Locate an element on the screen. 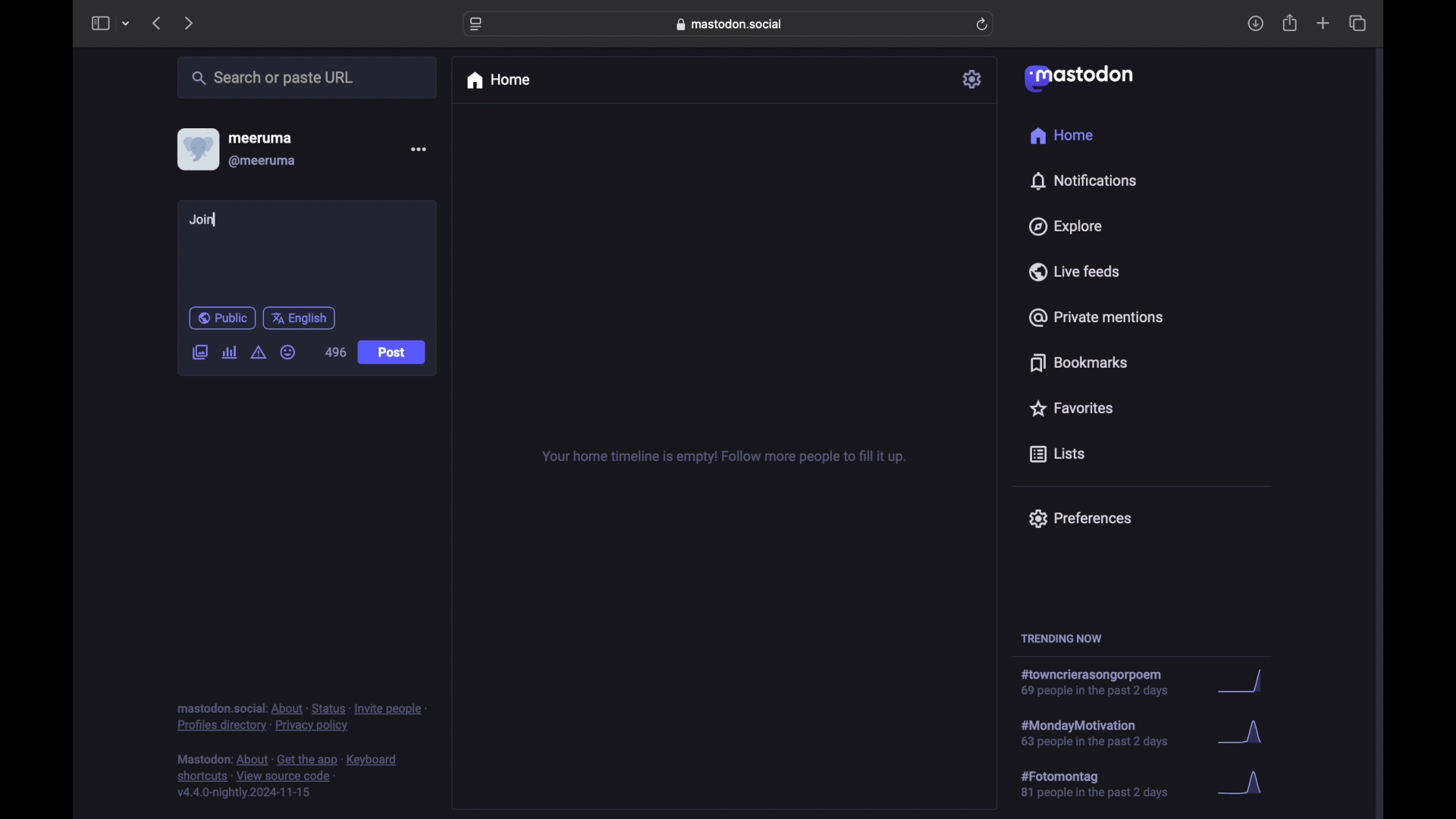  show tab overview is located at coordinates (1357, 24).